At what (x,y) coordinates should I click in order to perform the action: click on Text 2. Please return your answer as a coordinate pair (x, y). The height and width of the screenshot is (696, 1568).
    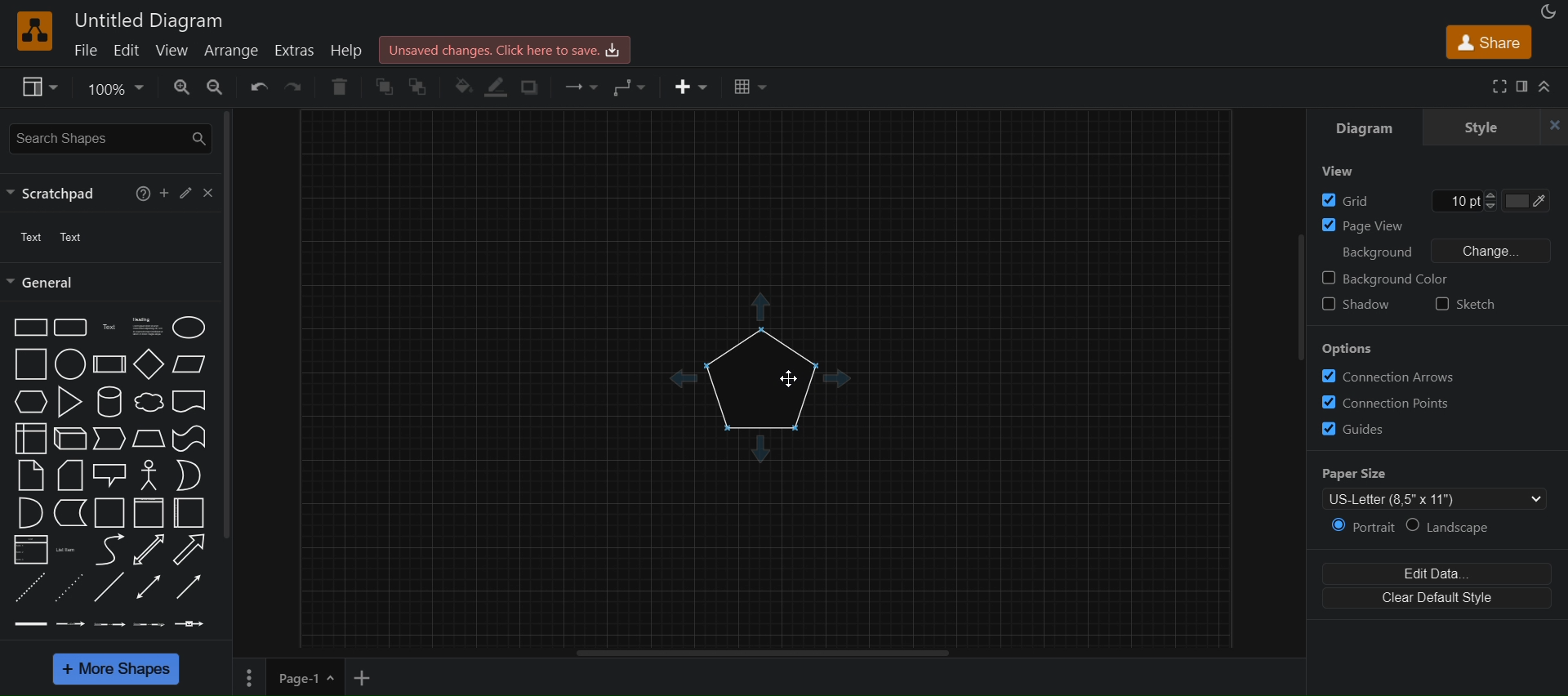
    Looking at the image, I should click on (71, 237).